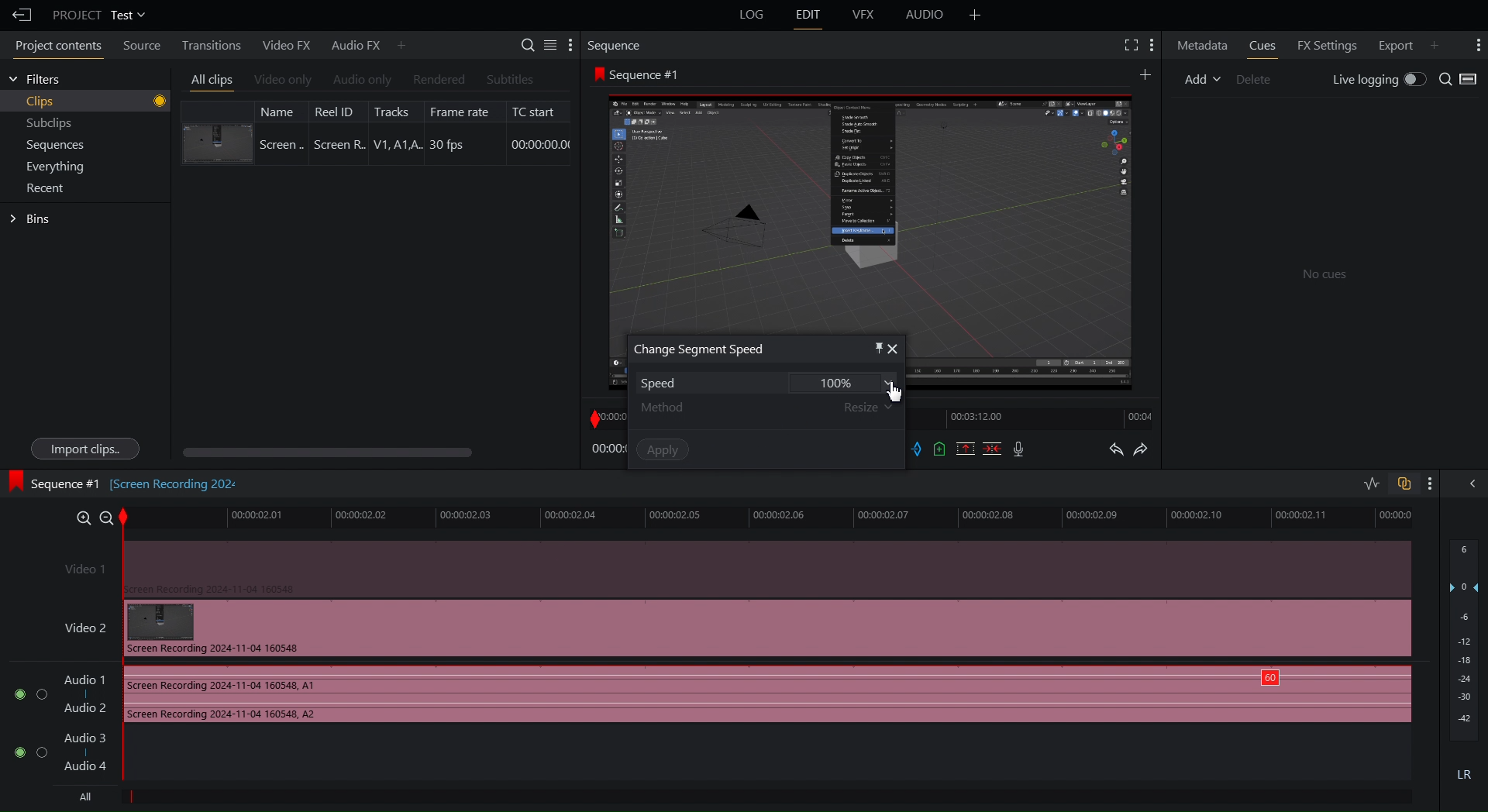  Describe the element at coordinates (1325, 276) in the screenshot. I see `No cues` at that location.